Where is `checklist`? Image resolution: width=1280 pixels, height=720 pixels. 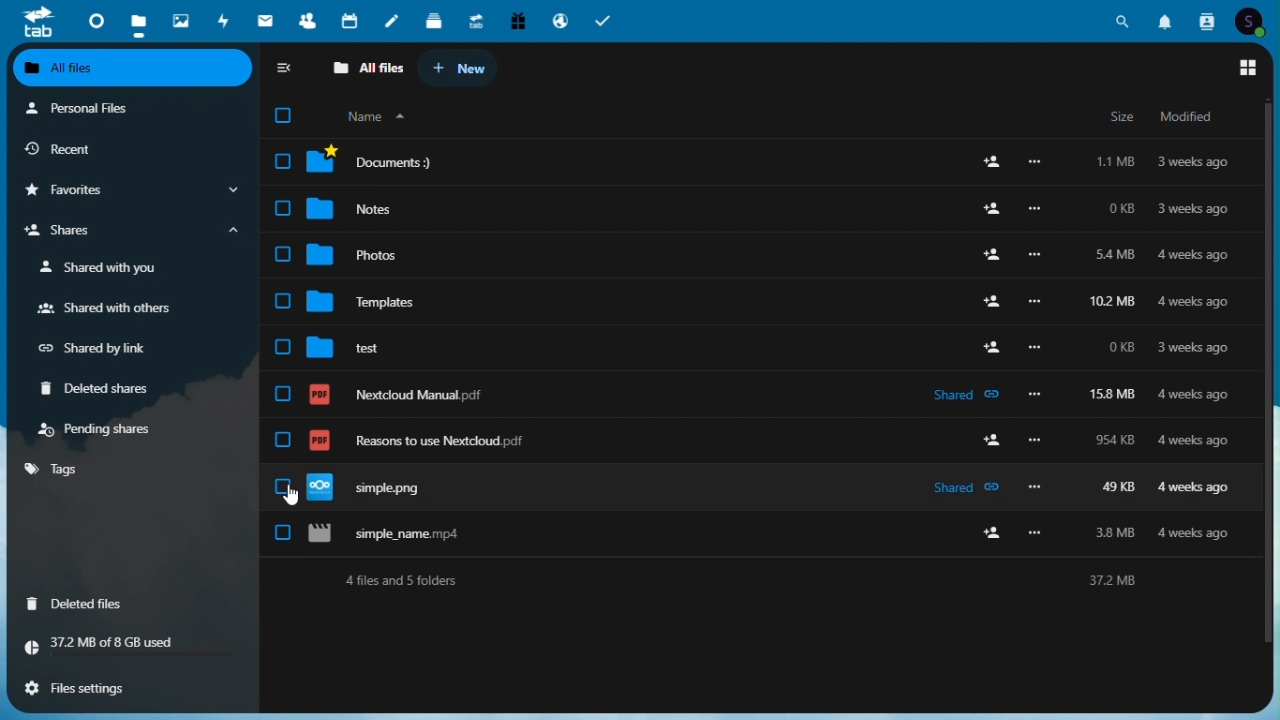
checklist is located at coordinates (282, 116).